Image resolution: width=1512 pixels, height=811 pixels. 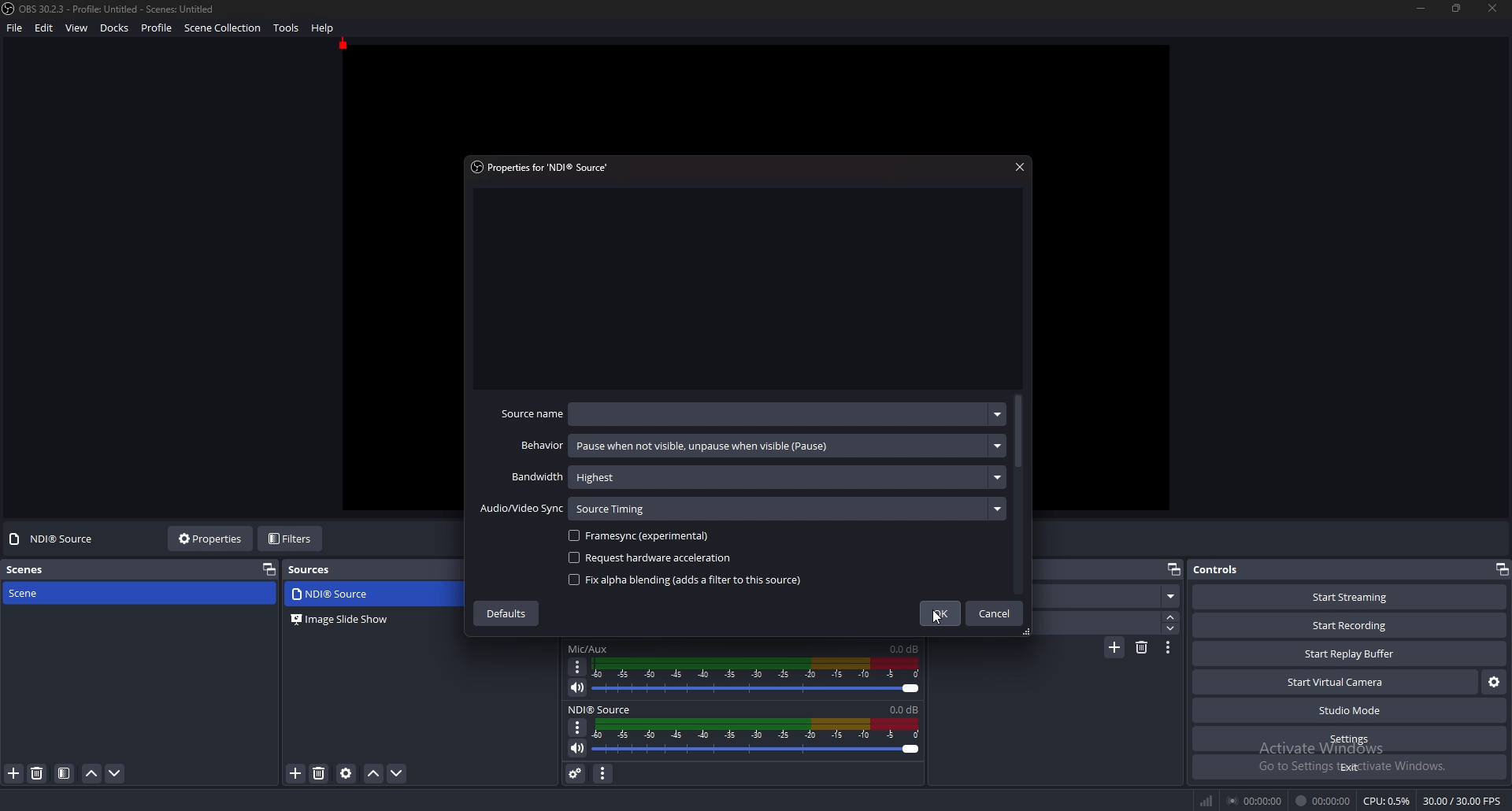 What do you see at coordinates (1350, 625) in the screenshot?
I see `start recording` at bounding box center [1350, 625].